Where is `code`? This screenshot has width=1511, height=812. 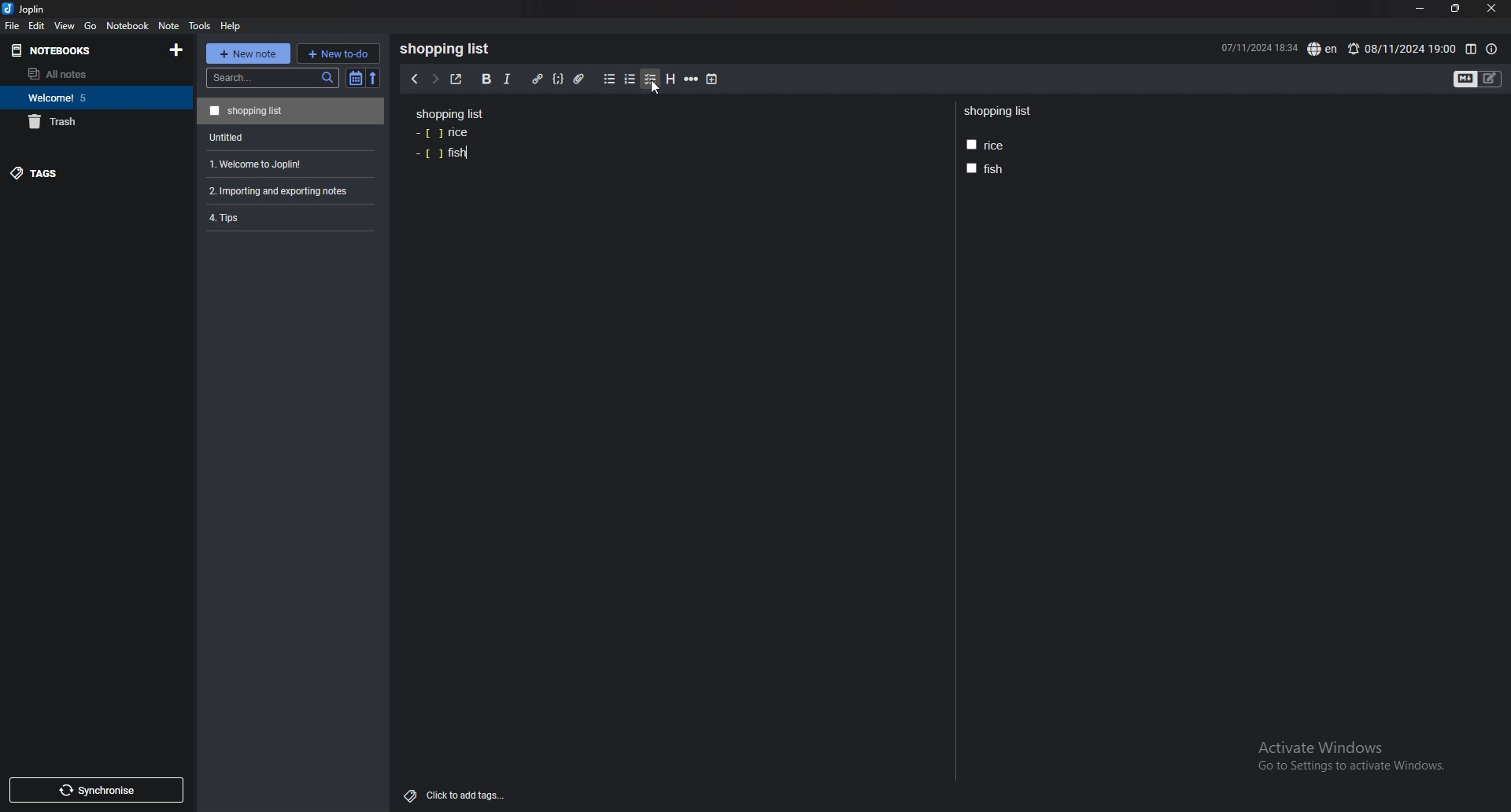 code is located at coordinates (558, 79).